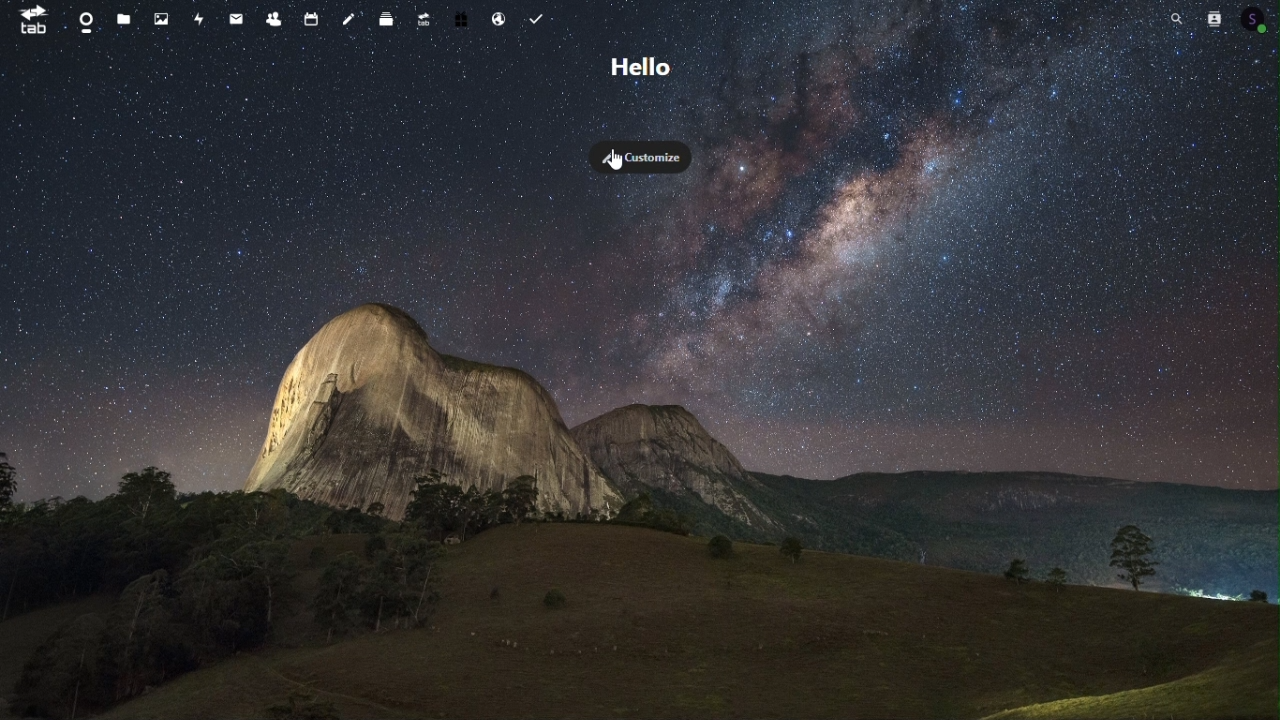 This screenshot has height=720, width=1280. I want to click on Task, so click(538, 18).